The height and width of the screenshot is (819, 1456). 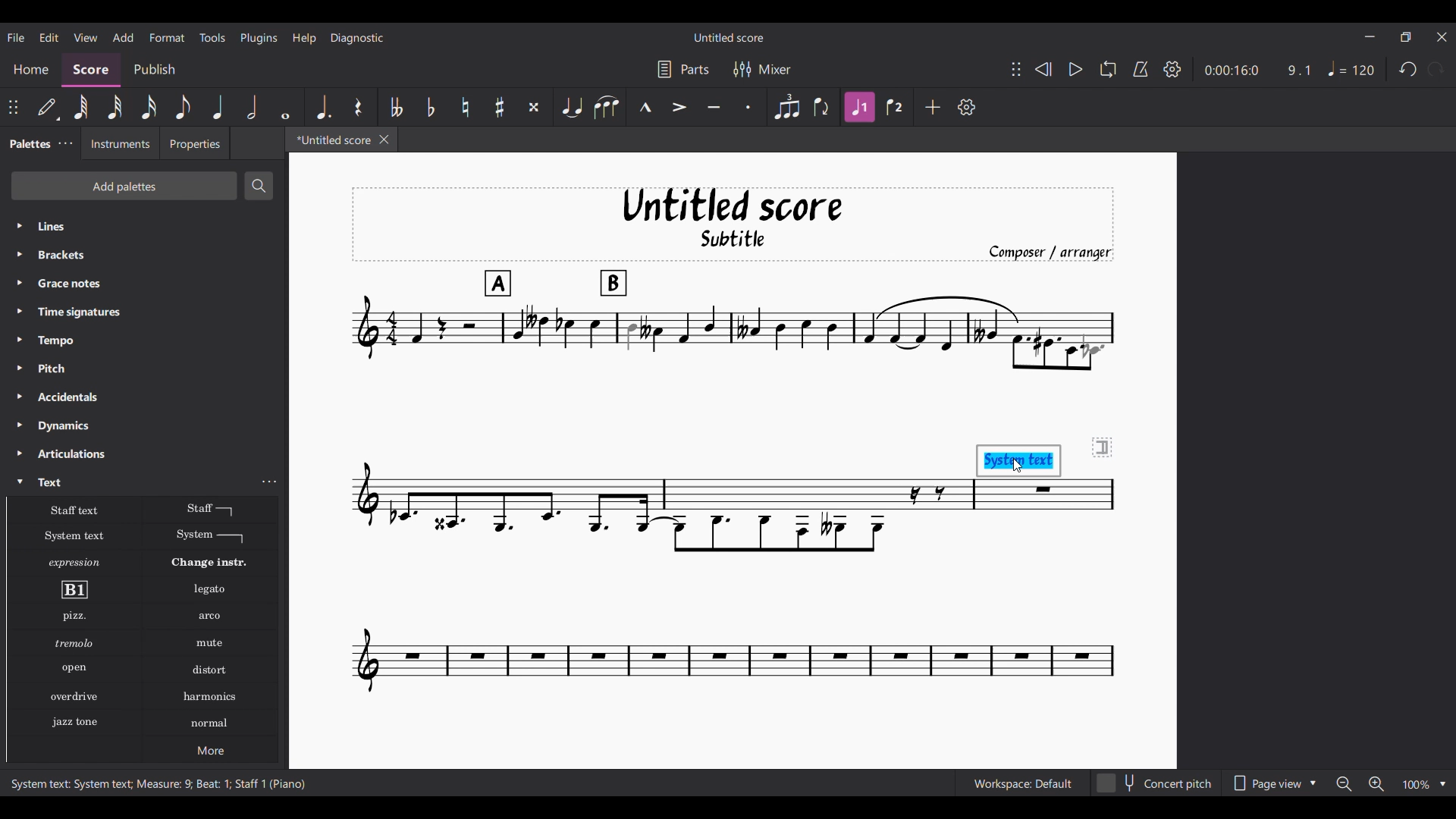 What do you see at coordinates (1232, 71) in the screenshot?
I see `0:00:16:0` at bounding box center [1232, 71].